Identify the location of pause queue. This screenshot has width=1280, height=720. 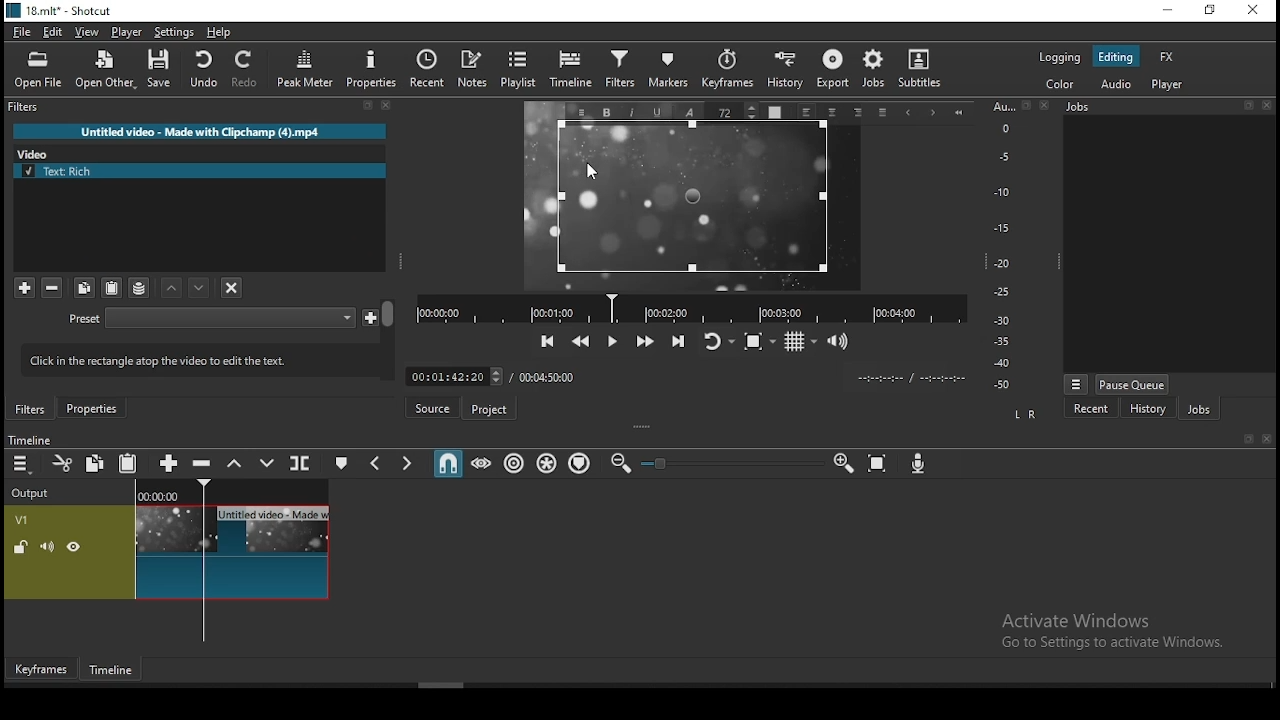
(1133, 384).